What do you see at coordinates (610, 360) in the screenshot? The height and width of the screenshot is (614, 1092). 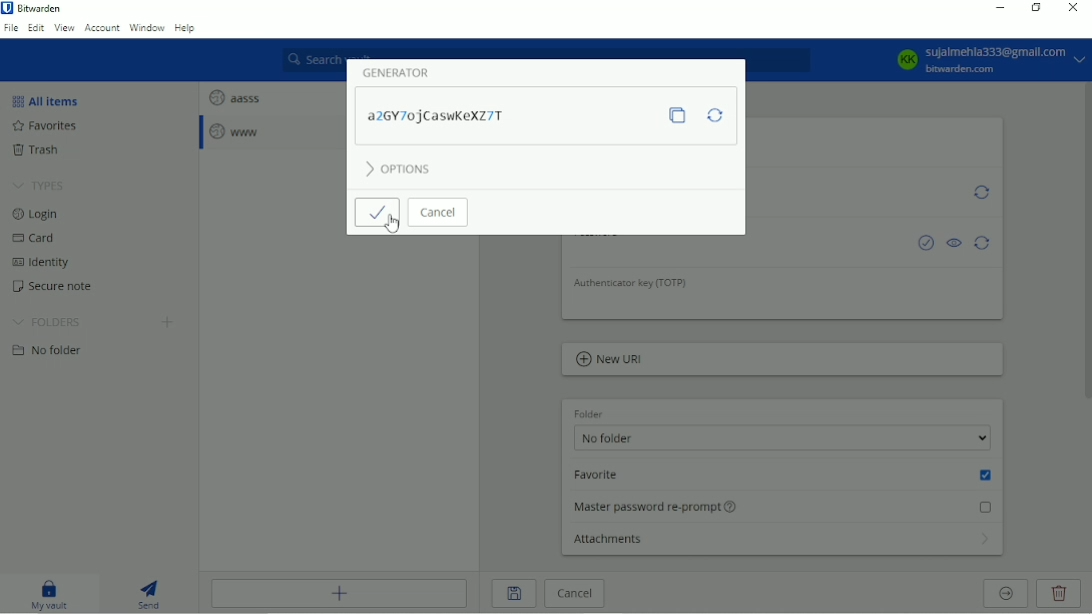 I see `New URL` at bounding box center [610, 360].